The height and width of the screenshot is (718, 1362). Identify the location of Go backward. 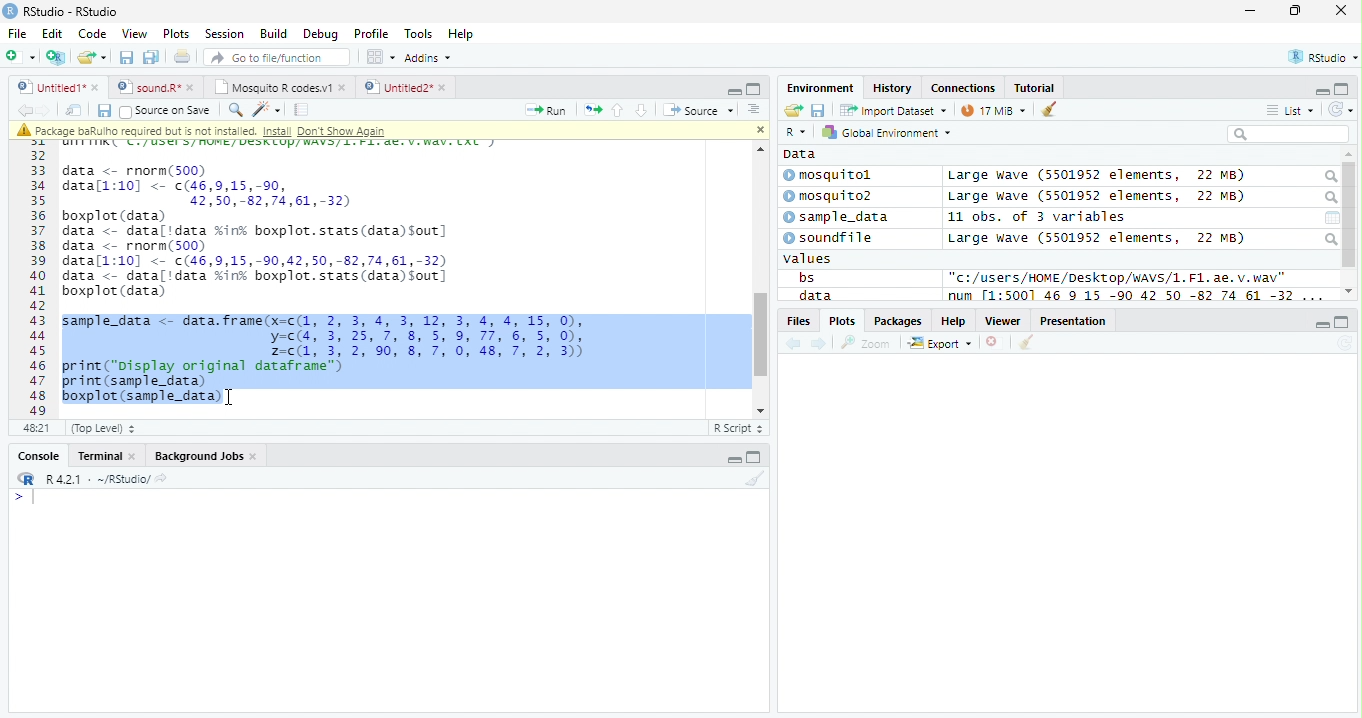
(24, 109).